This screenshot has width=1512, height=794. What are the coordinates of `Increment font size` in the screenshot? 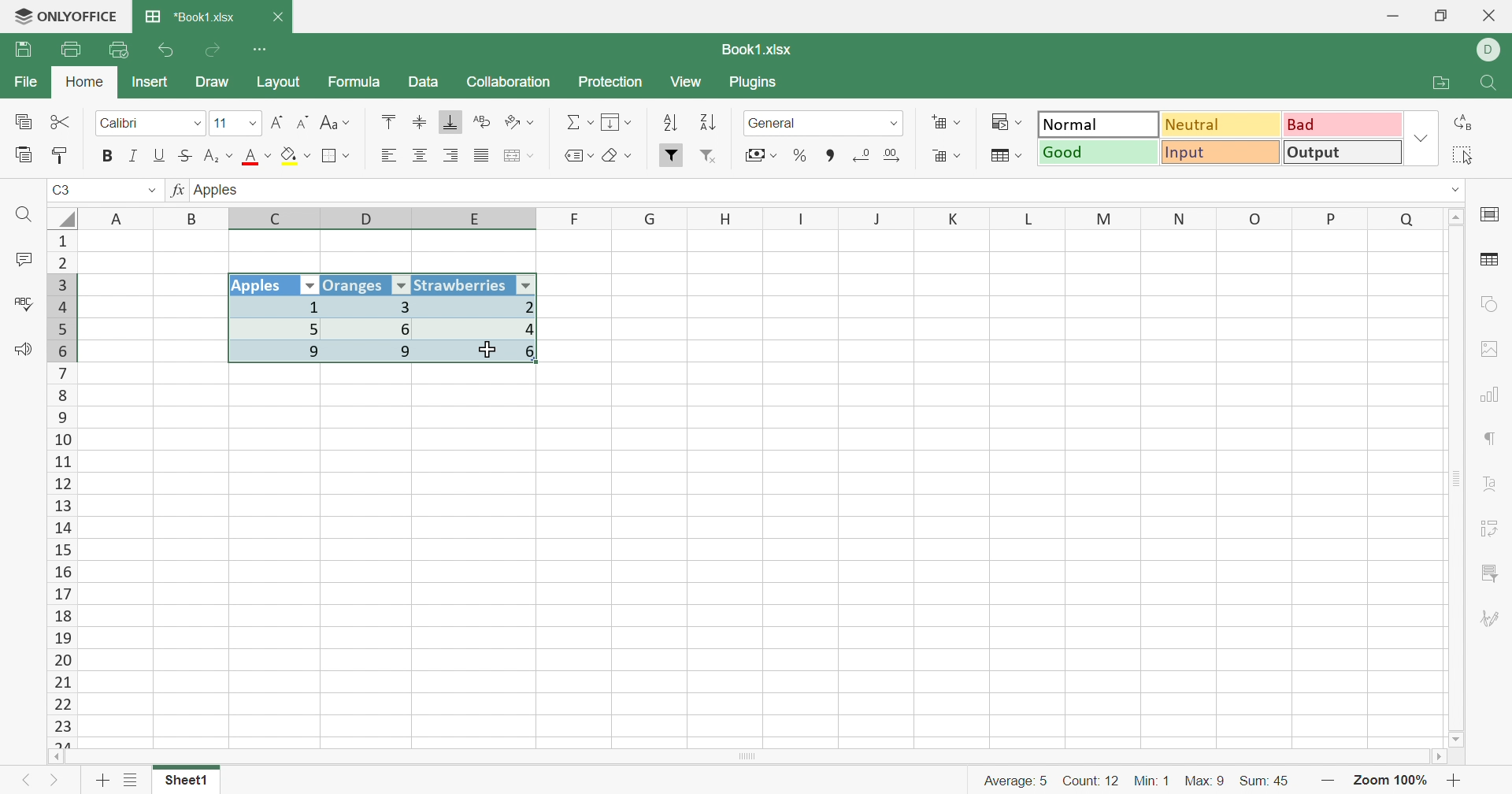 It's located at (276, 122).